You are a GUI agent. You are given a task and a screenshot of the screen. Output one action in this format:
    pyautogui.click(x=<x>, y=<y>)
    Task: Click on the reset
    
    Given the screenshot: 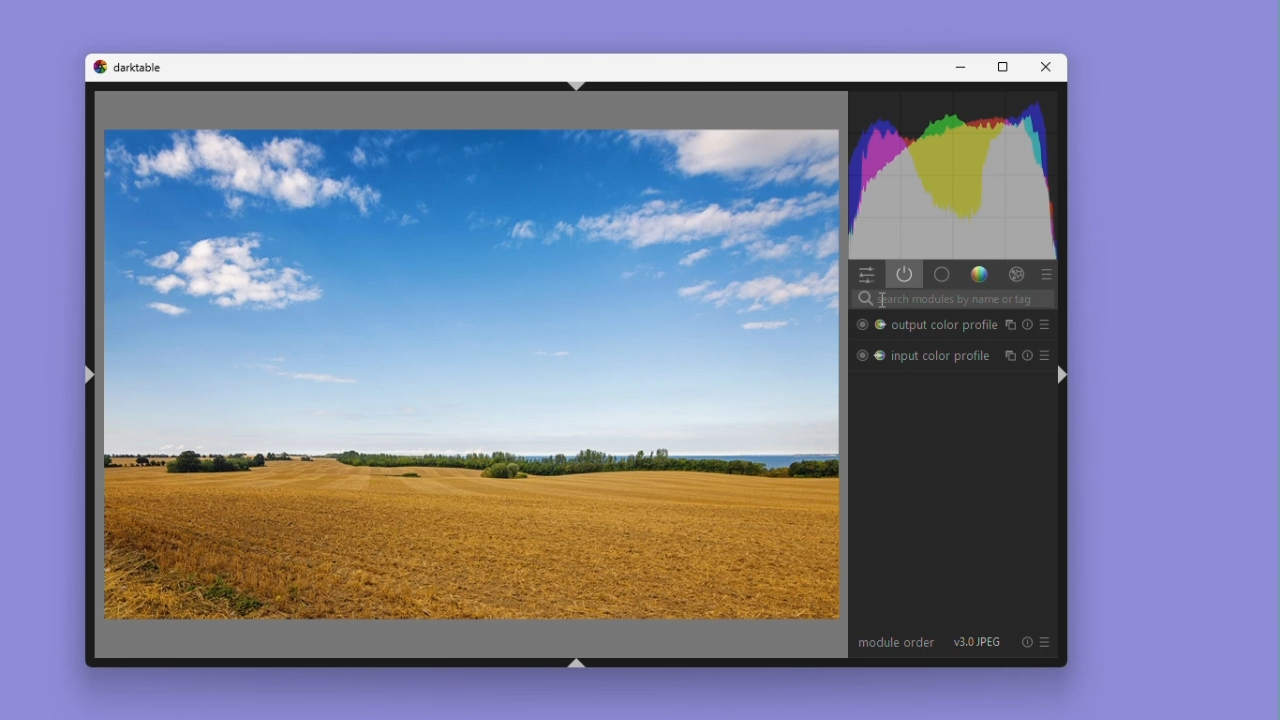 What is the action you would take?
    pyautogui.click(x=1029, y=324)
    